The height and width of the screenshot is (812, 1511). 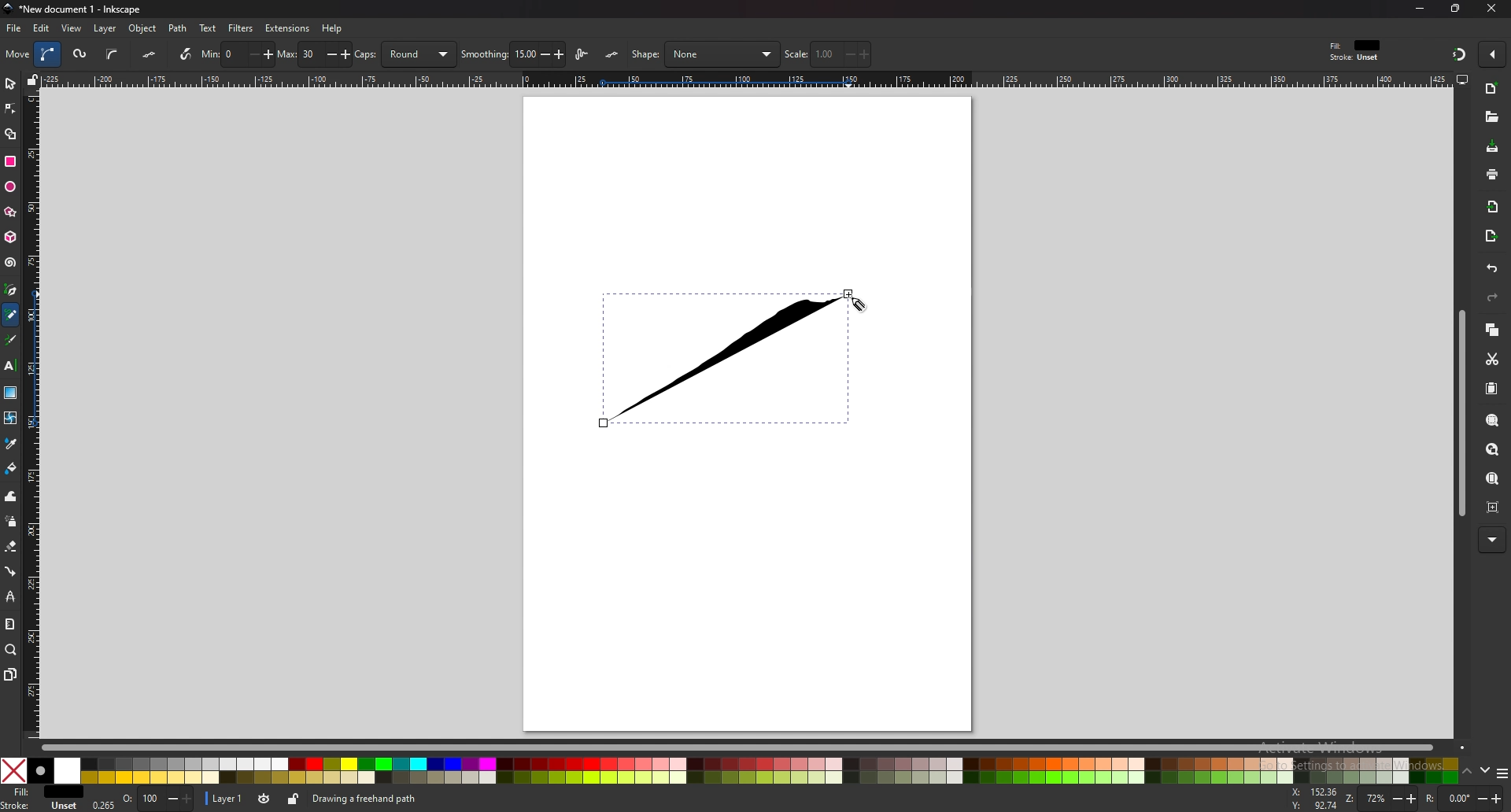 I want to click on fill and stroke, so click(x=1356, y=51).